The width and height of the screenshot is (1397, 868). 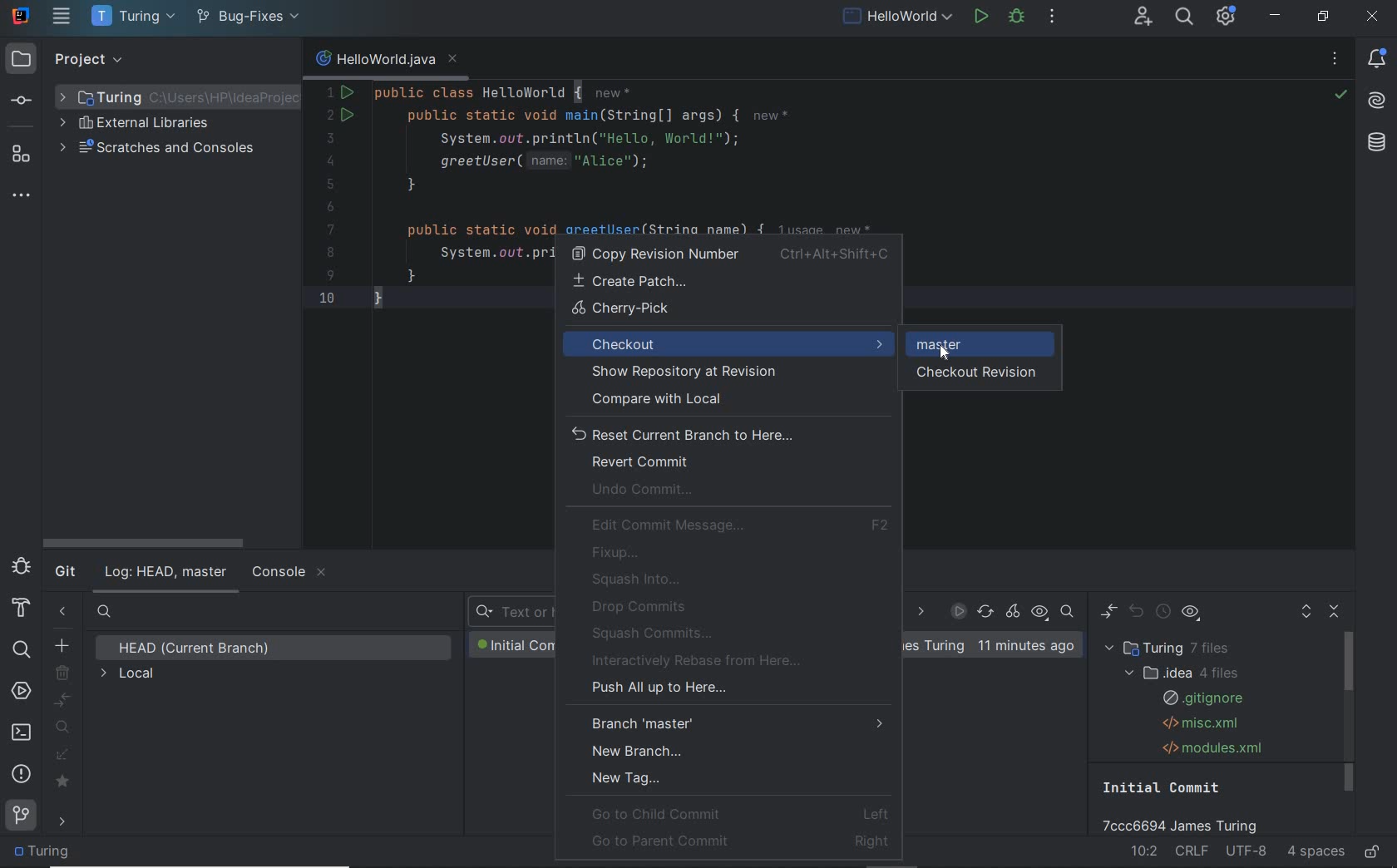 What do you see at coordinates (22, 155) in the screenshot?
I see `structure` at bounding box center [22, 155].